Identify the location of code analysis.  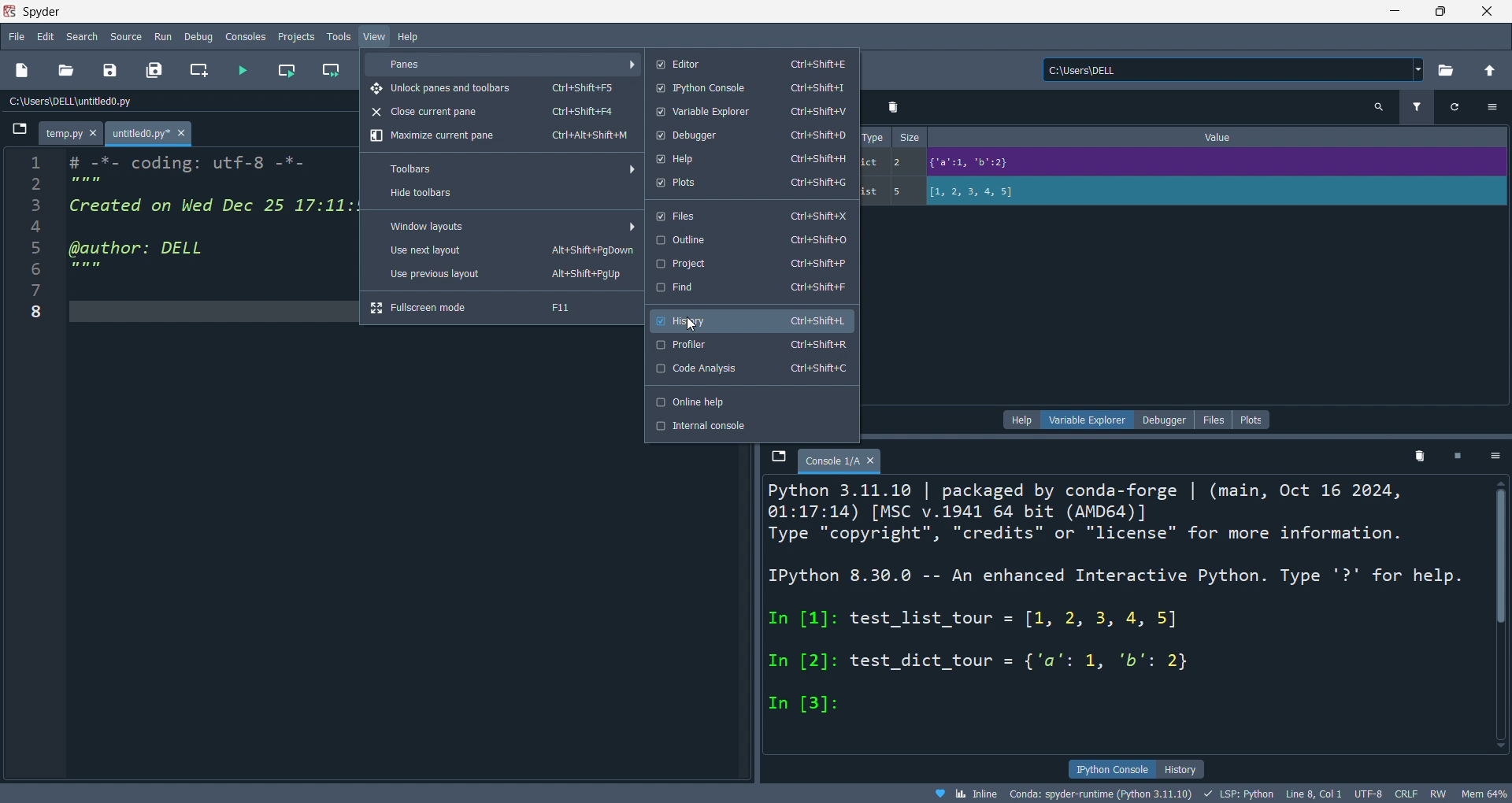
(751, 370).